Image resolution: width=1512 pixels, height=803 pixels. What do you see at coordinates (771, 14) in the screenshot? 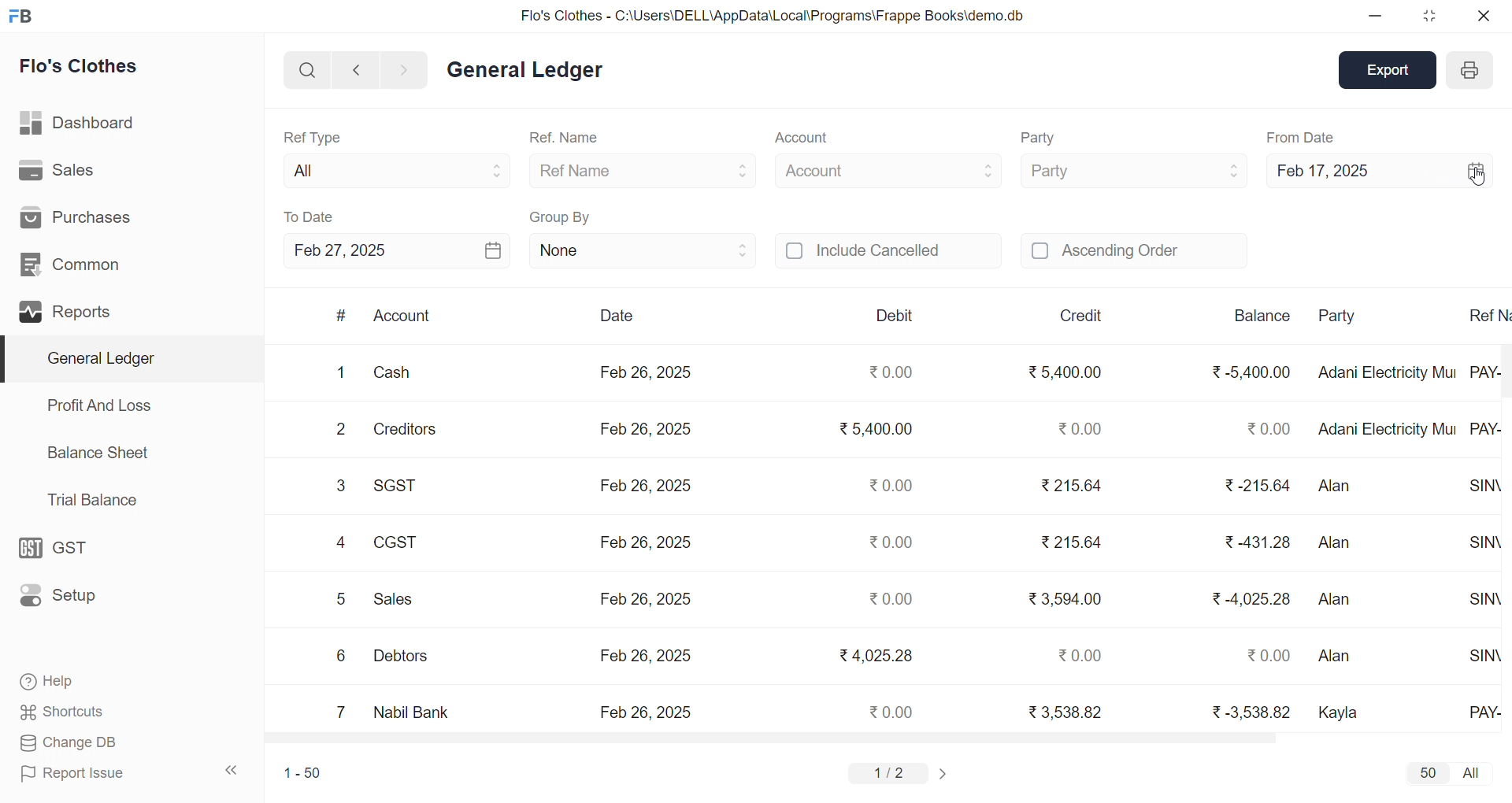
I see `Flo's Clothes - C:\Users\DELL\AppData\Local\Programs\Frappe Books\demo.db` at bounding box center [771, 14].